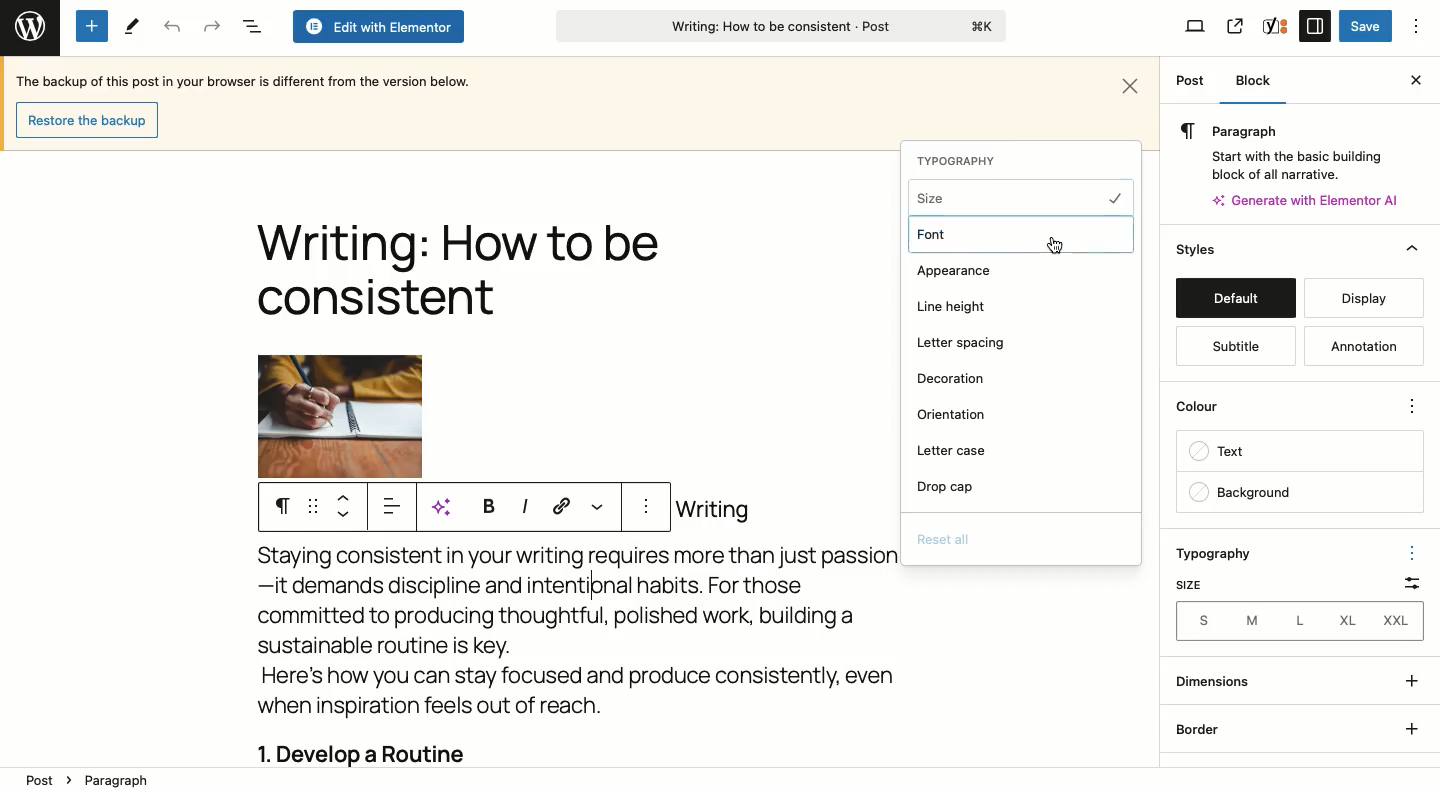 Image resolution: width=1440 pixels, height=792 pixels. Describe the element at coordinates (1132, 83) in the screenshot. I see `Close` at that location.